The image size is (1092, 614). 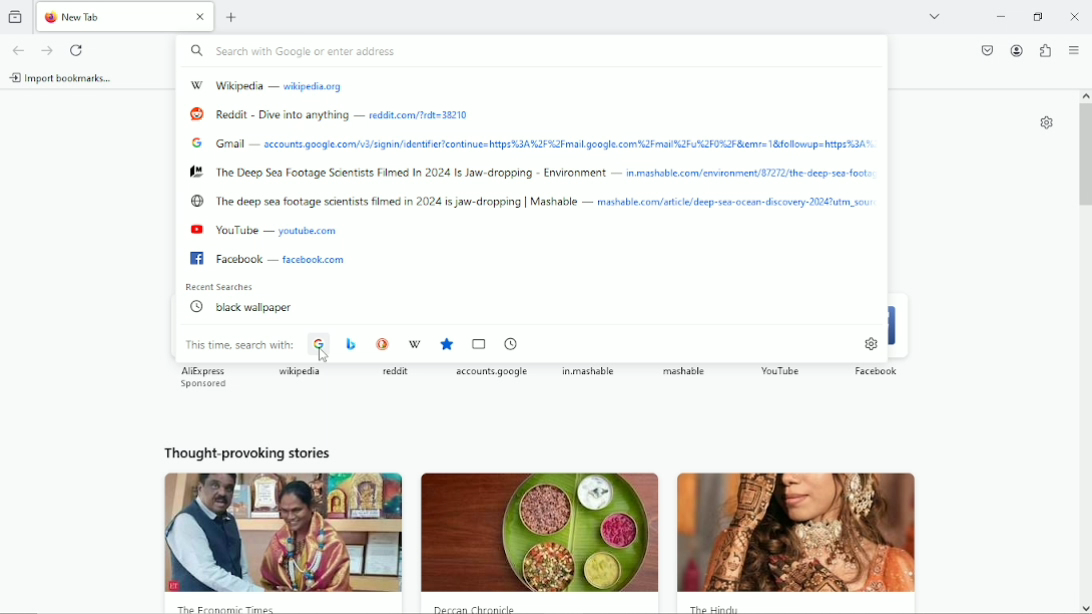 I want to click on account, so click(x=1016, y=50).